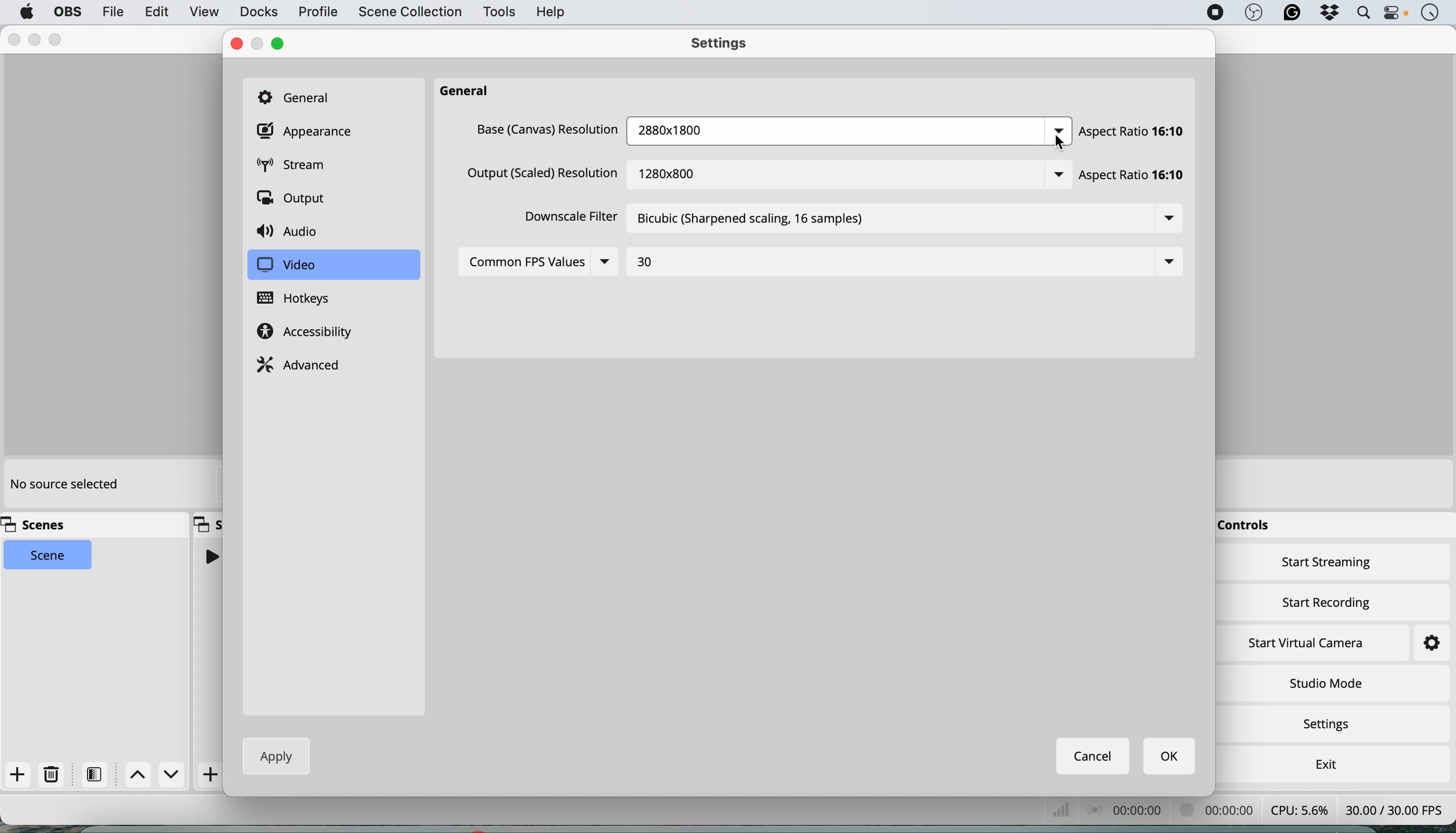  Describe the element at coordinates (1421, 644) in the screenshot. I see `settings` at that location.